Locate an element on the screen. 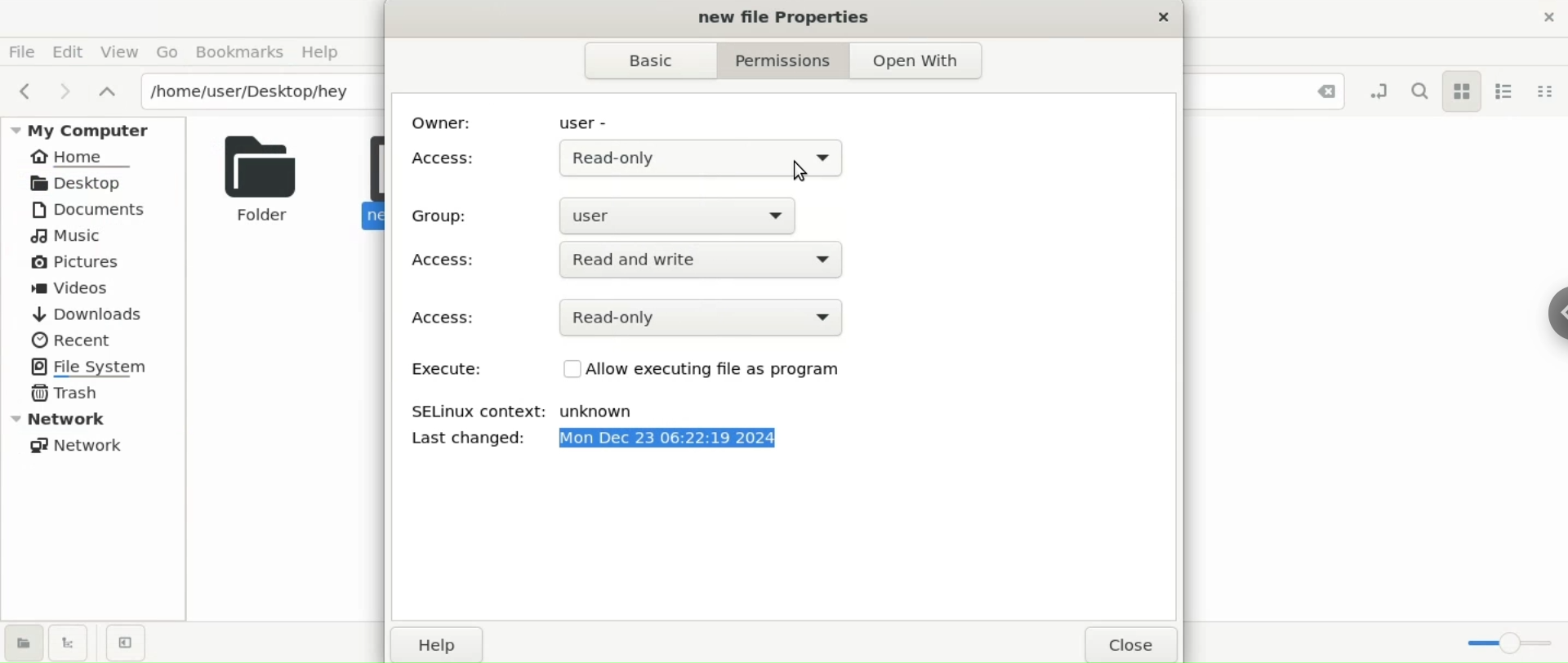 The image size is (1568, 663). Access is located at coordinates (447, 261).